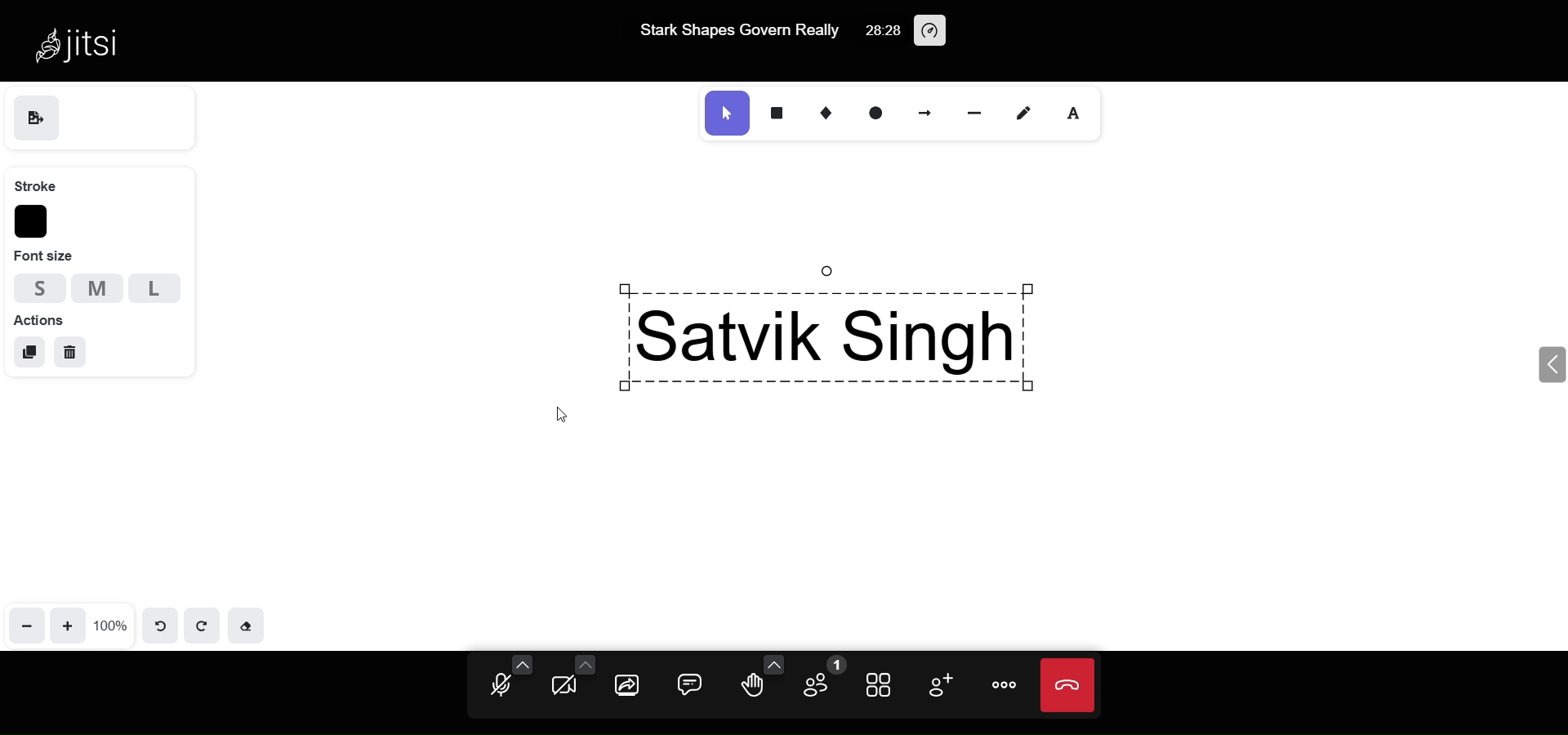  Describe the element at coordinates (629, 687) in the screenshot. I see `screen share` at that location.